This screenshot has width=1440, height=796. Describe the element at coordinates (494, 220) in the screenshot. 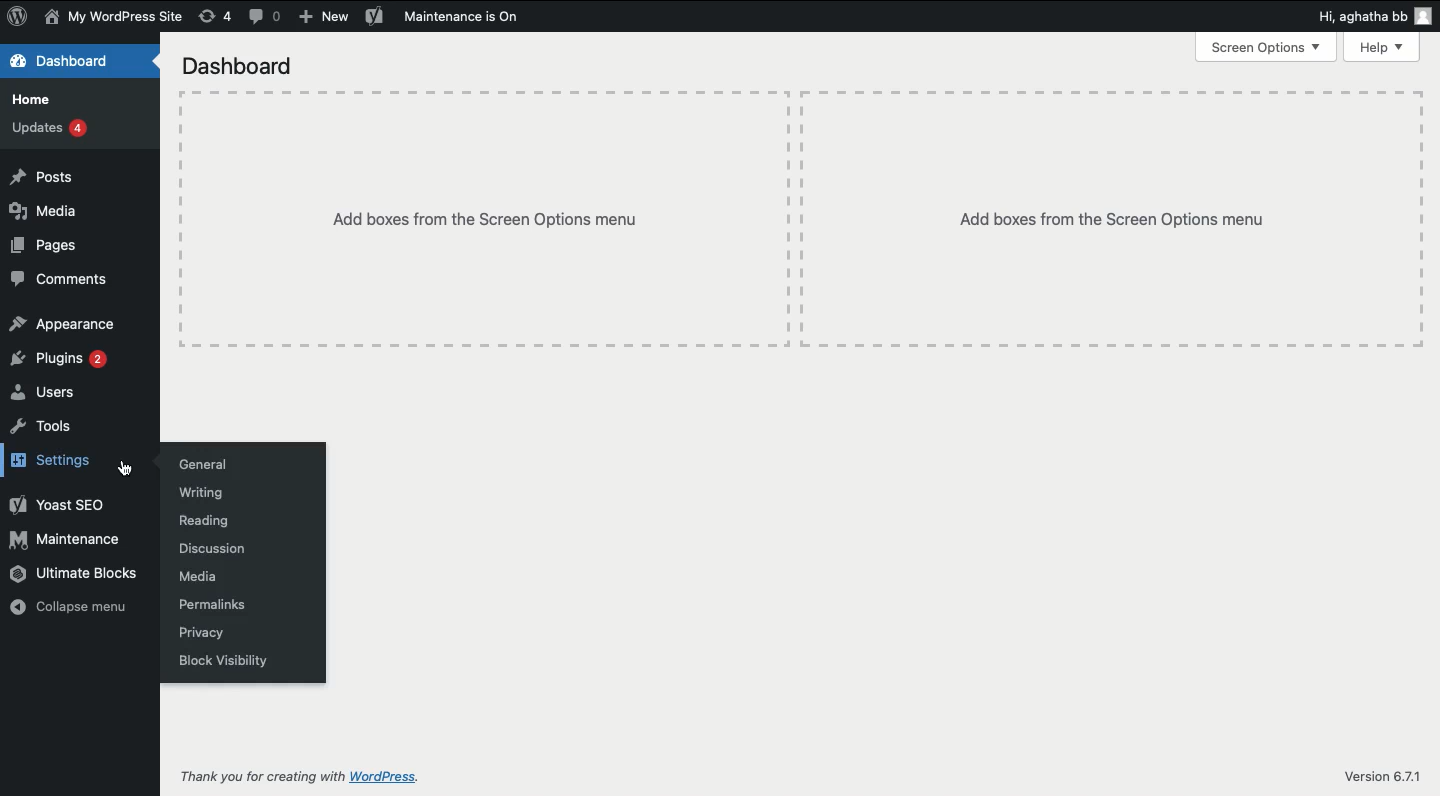

I see `add boxes from the screen options menu` at that location.